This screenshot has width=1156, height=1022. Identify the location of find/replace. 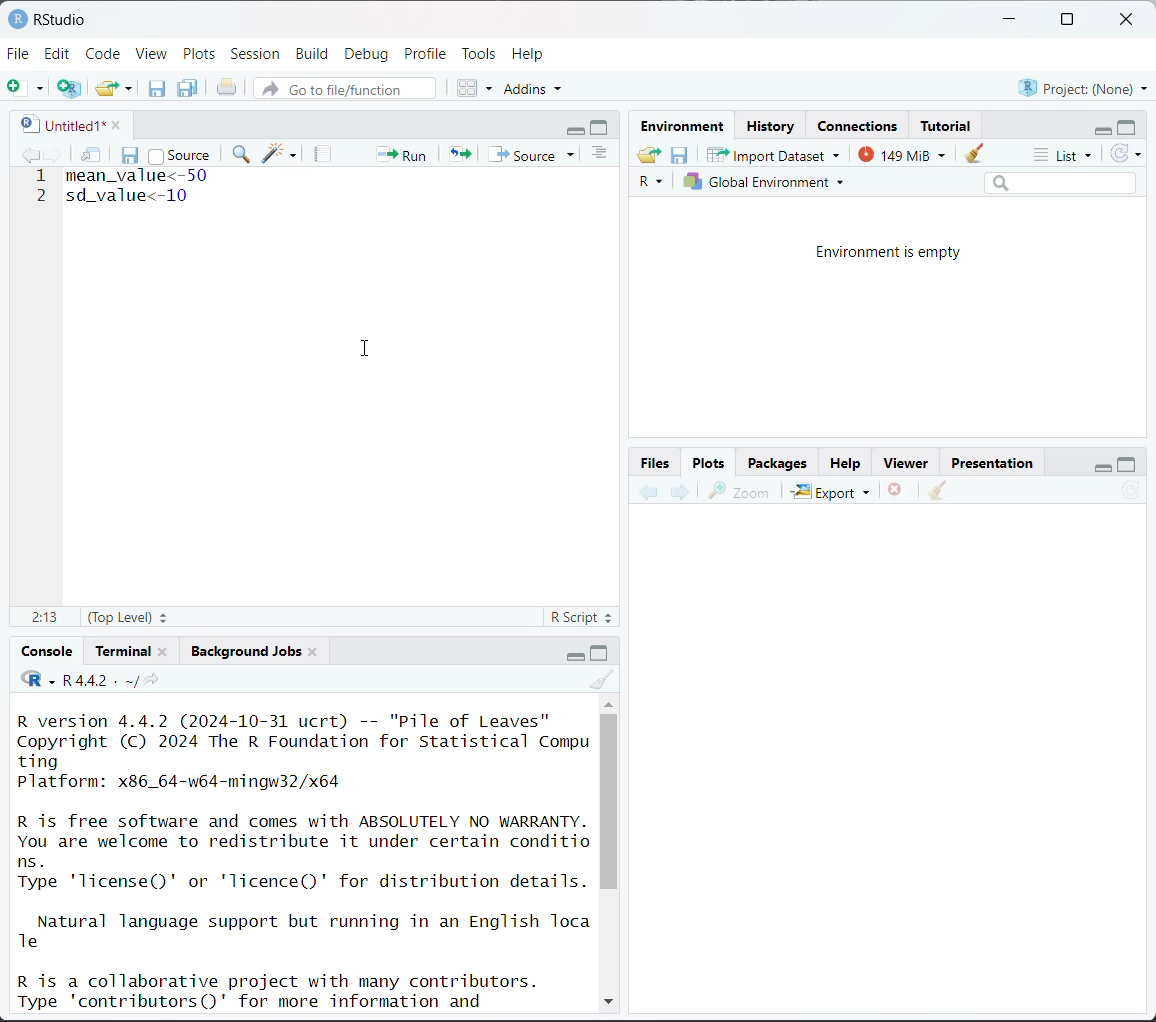
(243, 156).